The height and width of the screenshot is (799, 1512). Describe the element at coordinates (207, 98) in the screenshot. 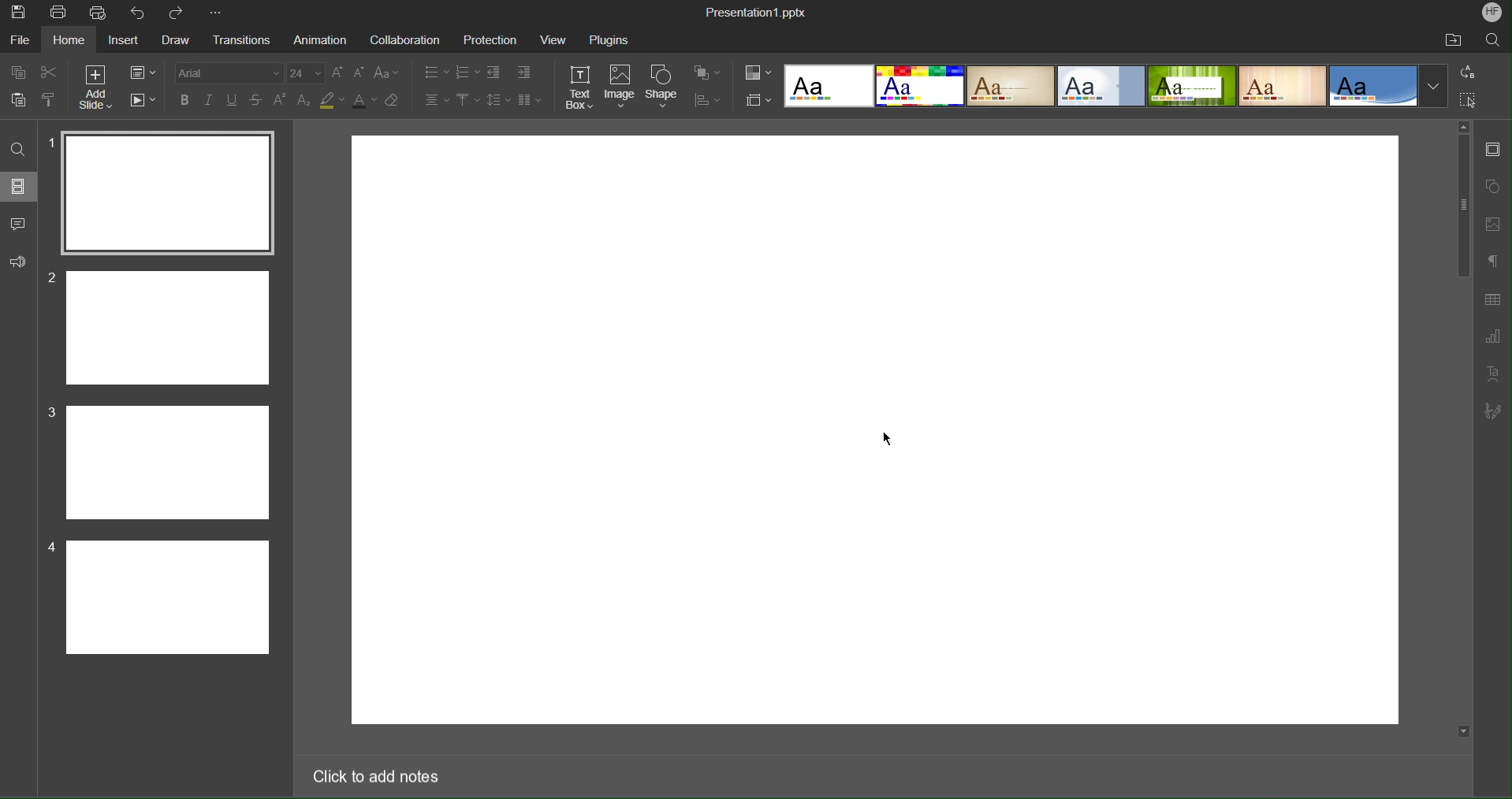

I see `italics` at that location.